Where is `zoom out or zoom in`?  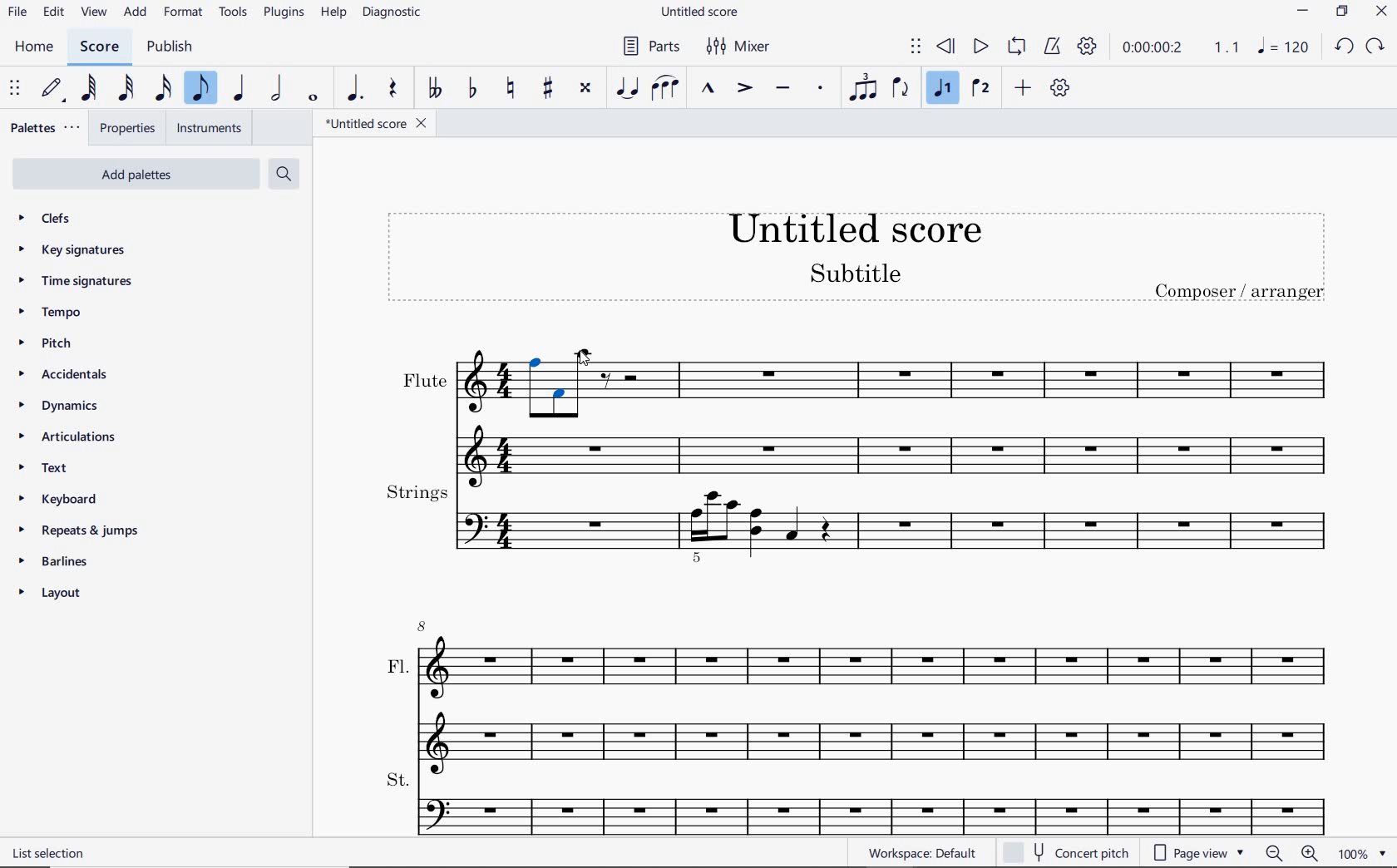 zoom out or zoom in is located at coordinates (1291, 854).